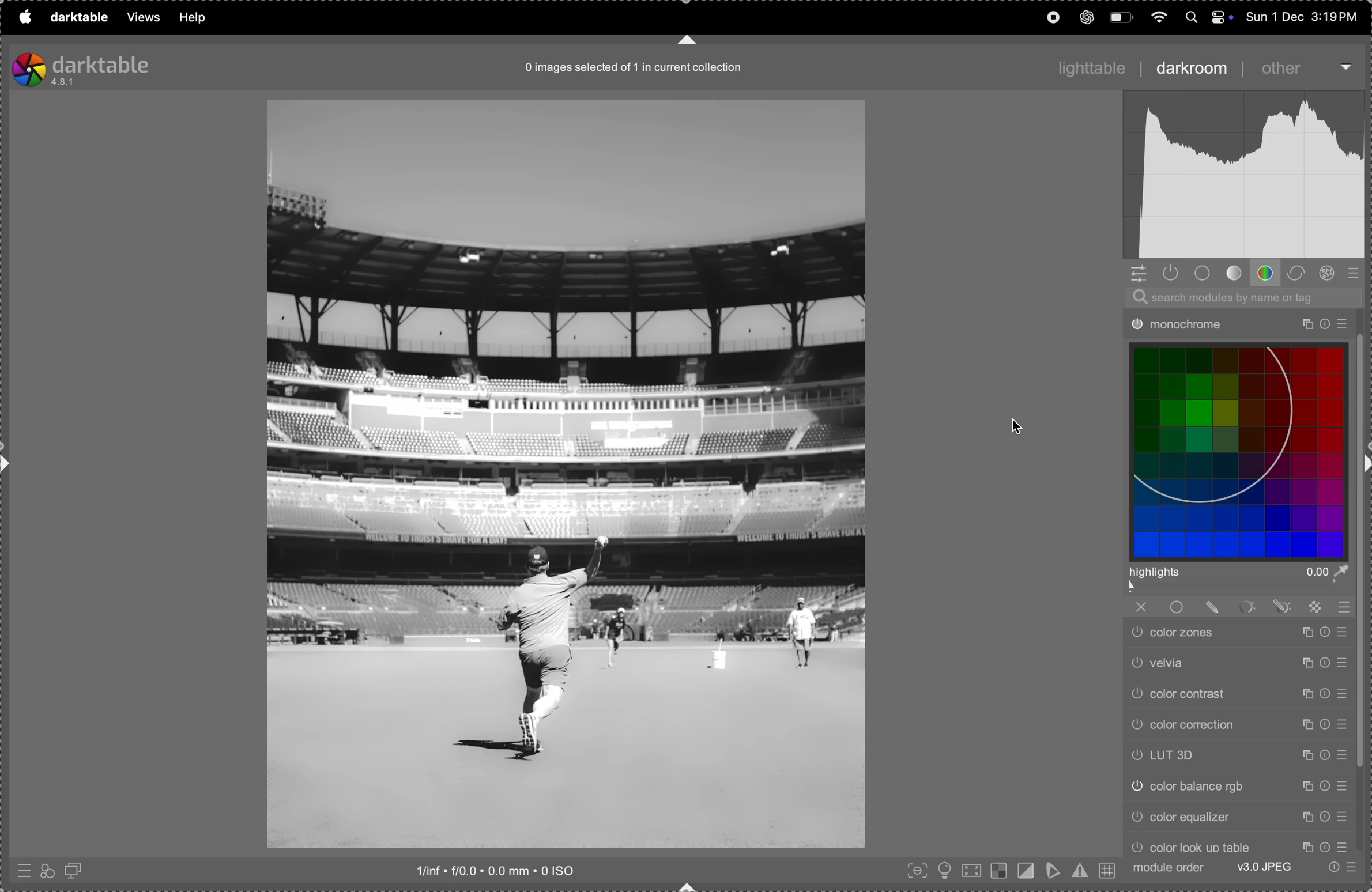 This screenshot has height=892, width=1372. I want to click on toggle soft proffing, so click(1051, 871).